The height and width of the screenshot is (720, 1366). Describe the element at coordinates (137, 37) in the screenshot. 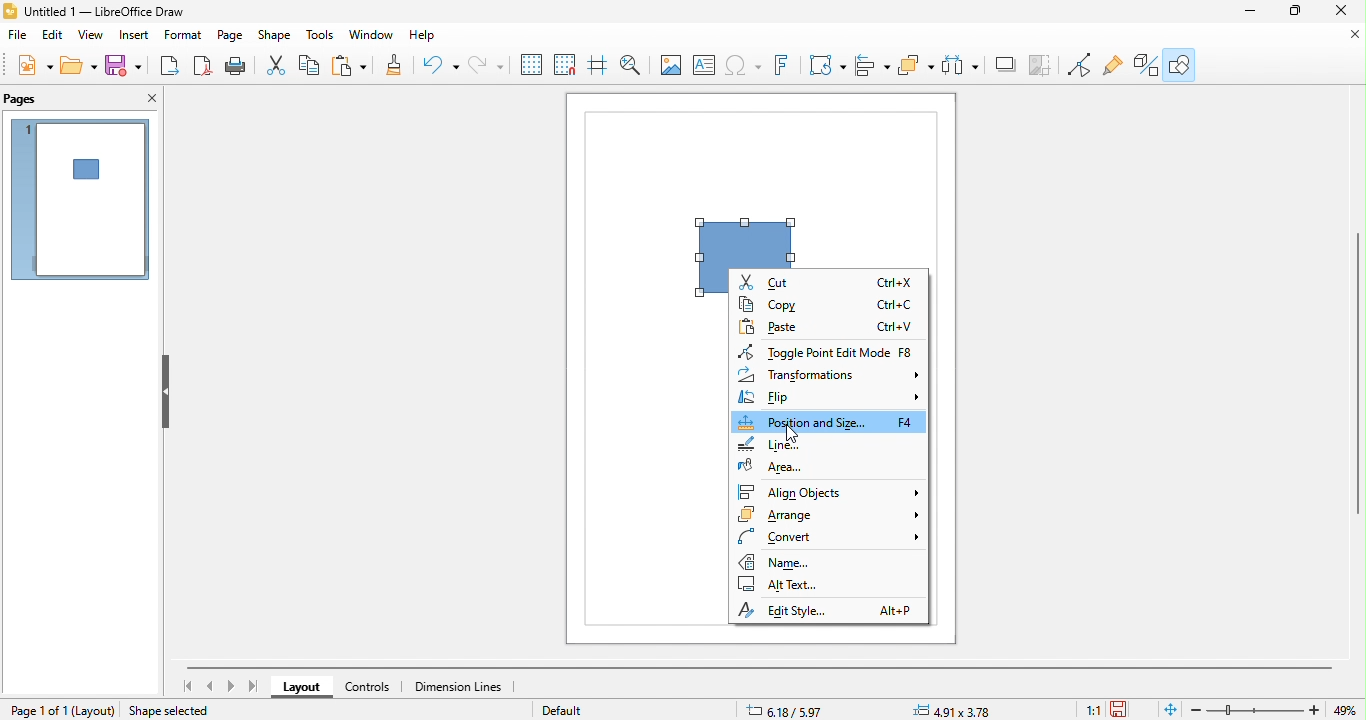

I see `insert` at that location.